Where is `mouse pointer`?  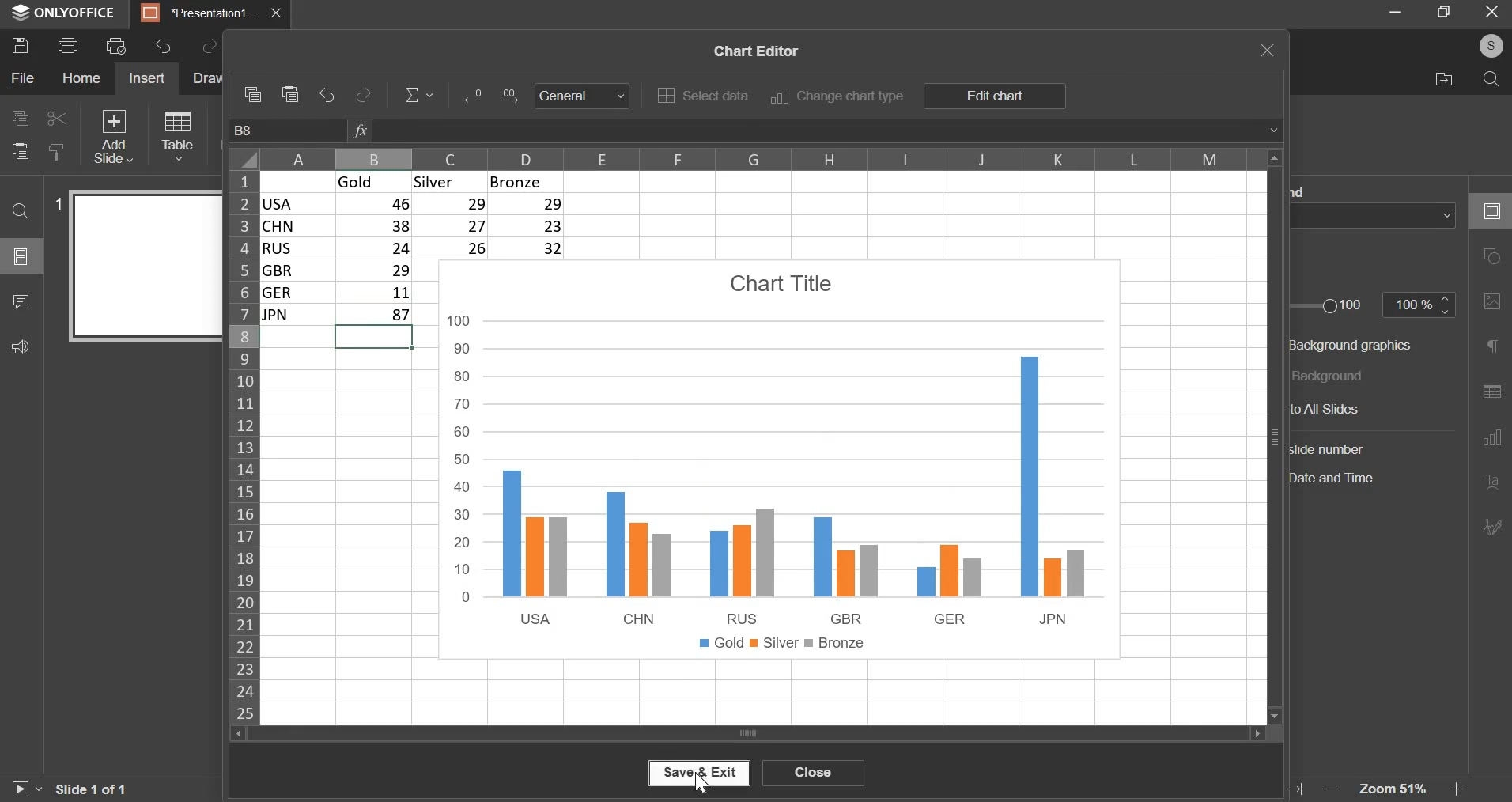
mouse pointer is located at coordinates (703, 785).